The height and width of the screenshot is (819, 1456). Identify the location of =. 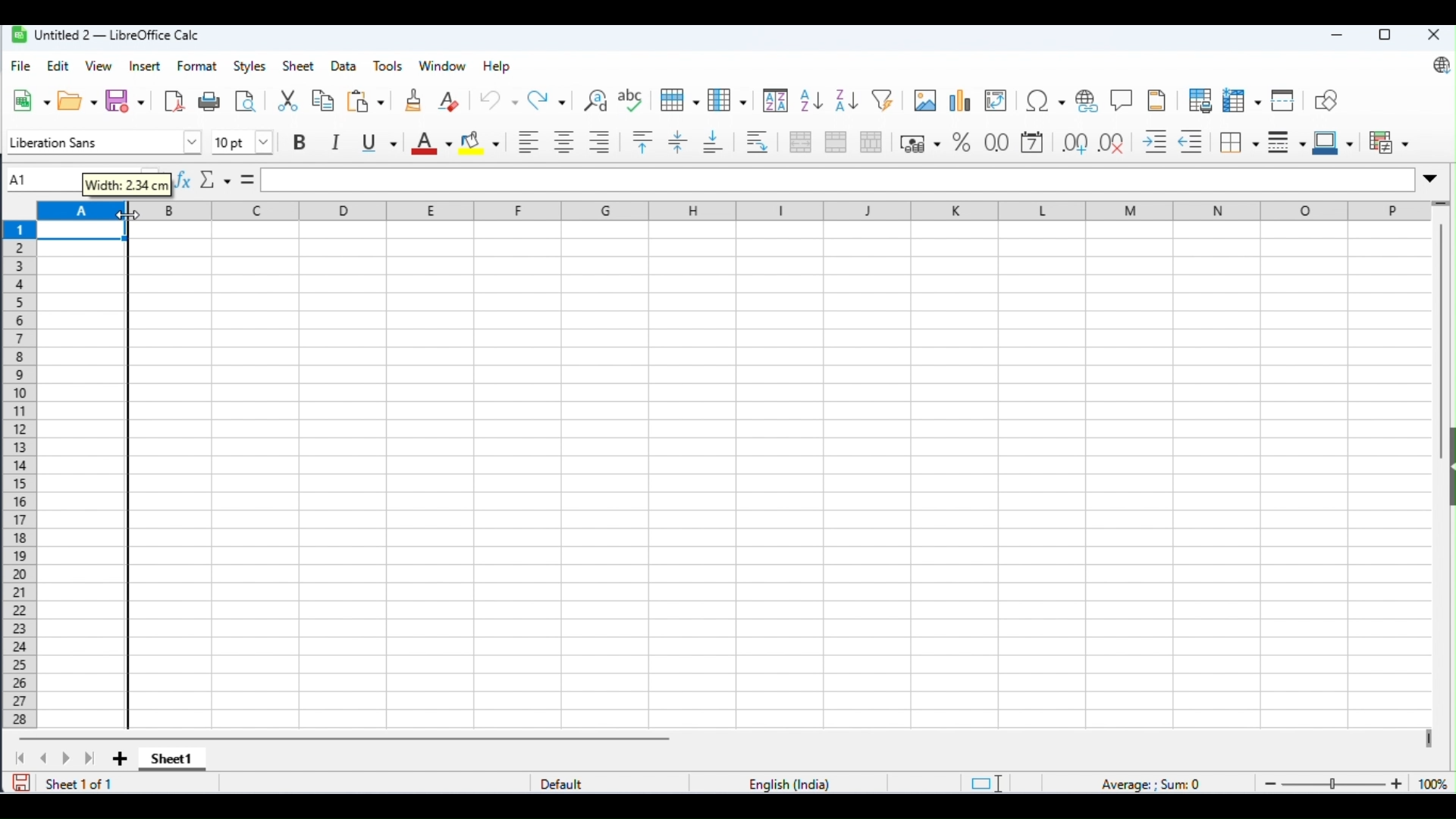
(246, 177).